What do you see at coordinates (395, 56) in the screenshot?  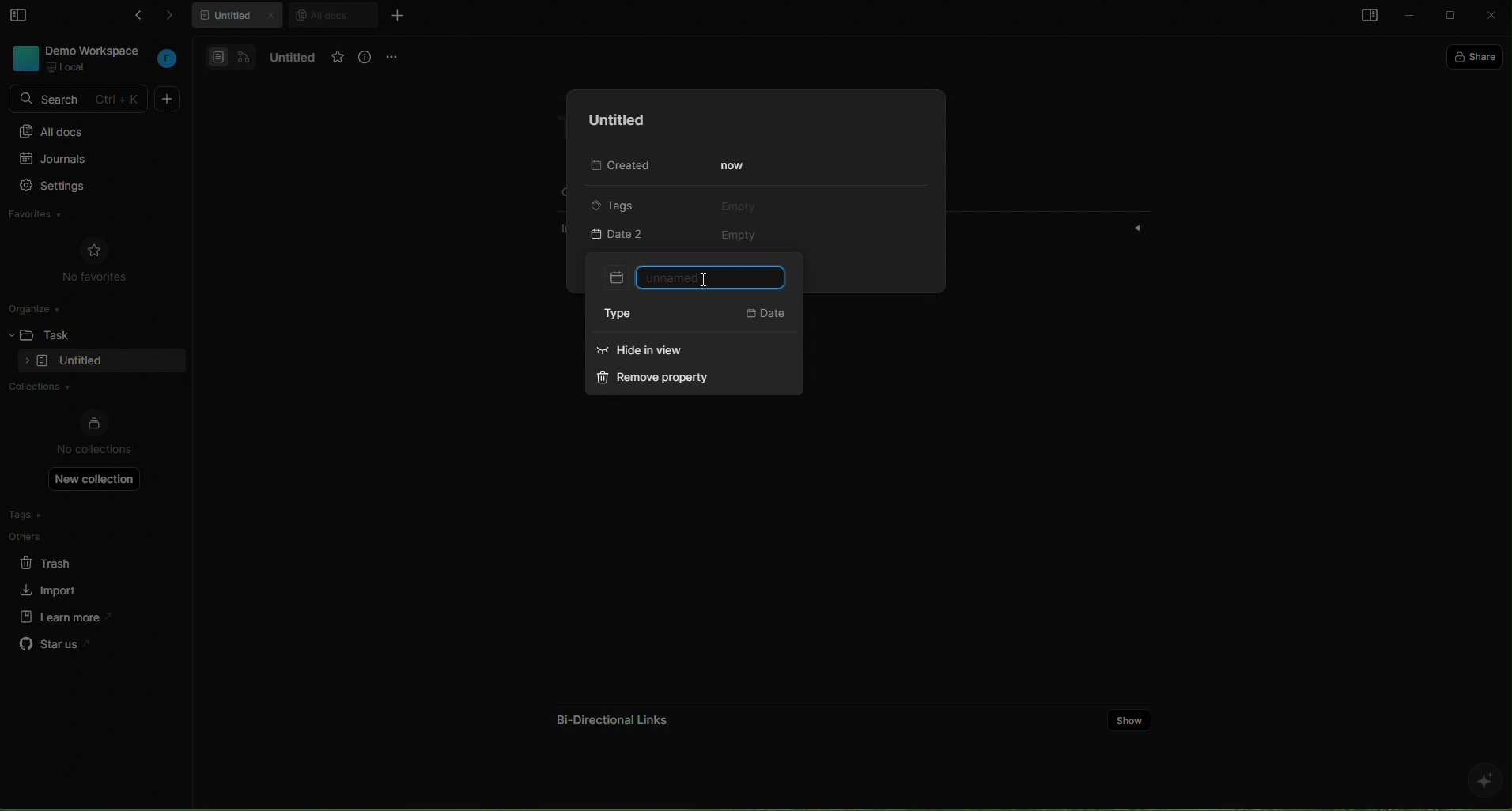 I see `options` at bounding box center [395, 56].